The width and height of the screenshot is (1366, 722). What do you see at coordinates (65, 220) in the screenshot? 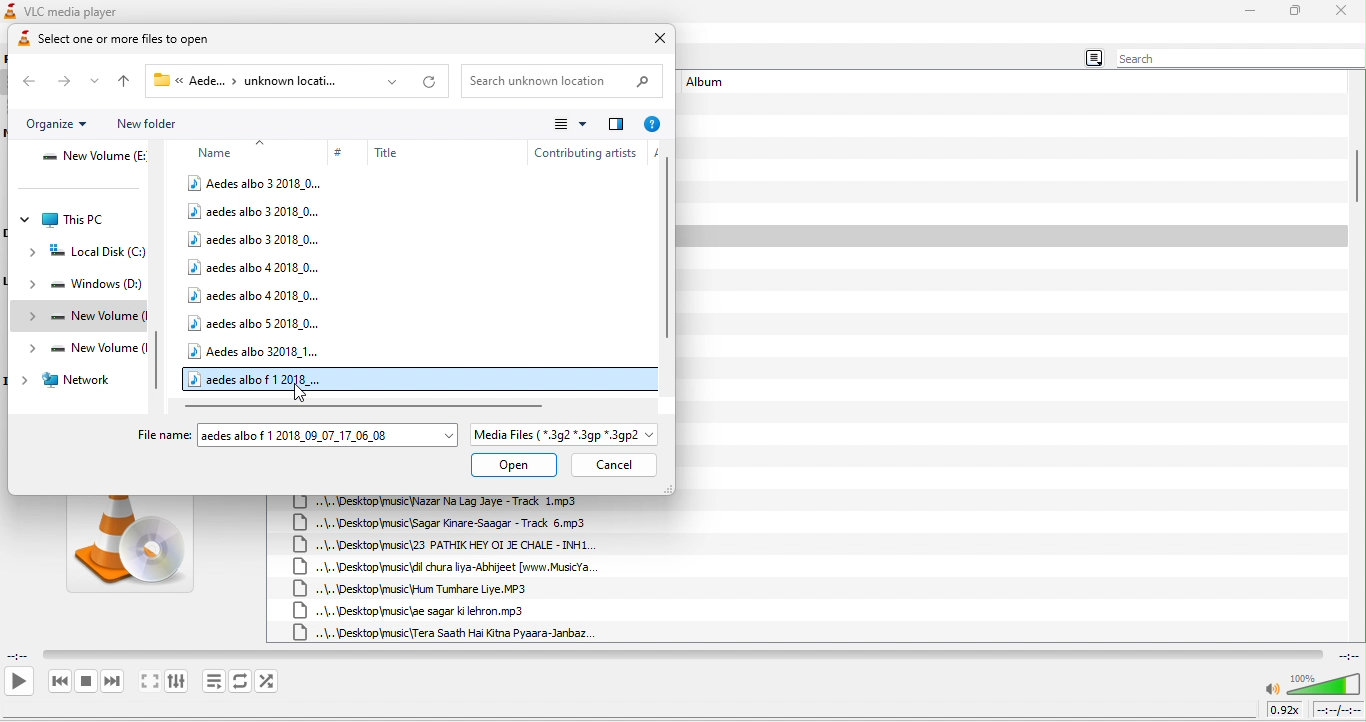
I see `this pc` at bounding box center [65, 220].